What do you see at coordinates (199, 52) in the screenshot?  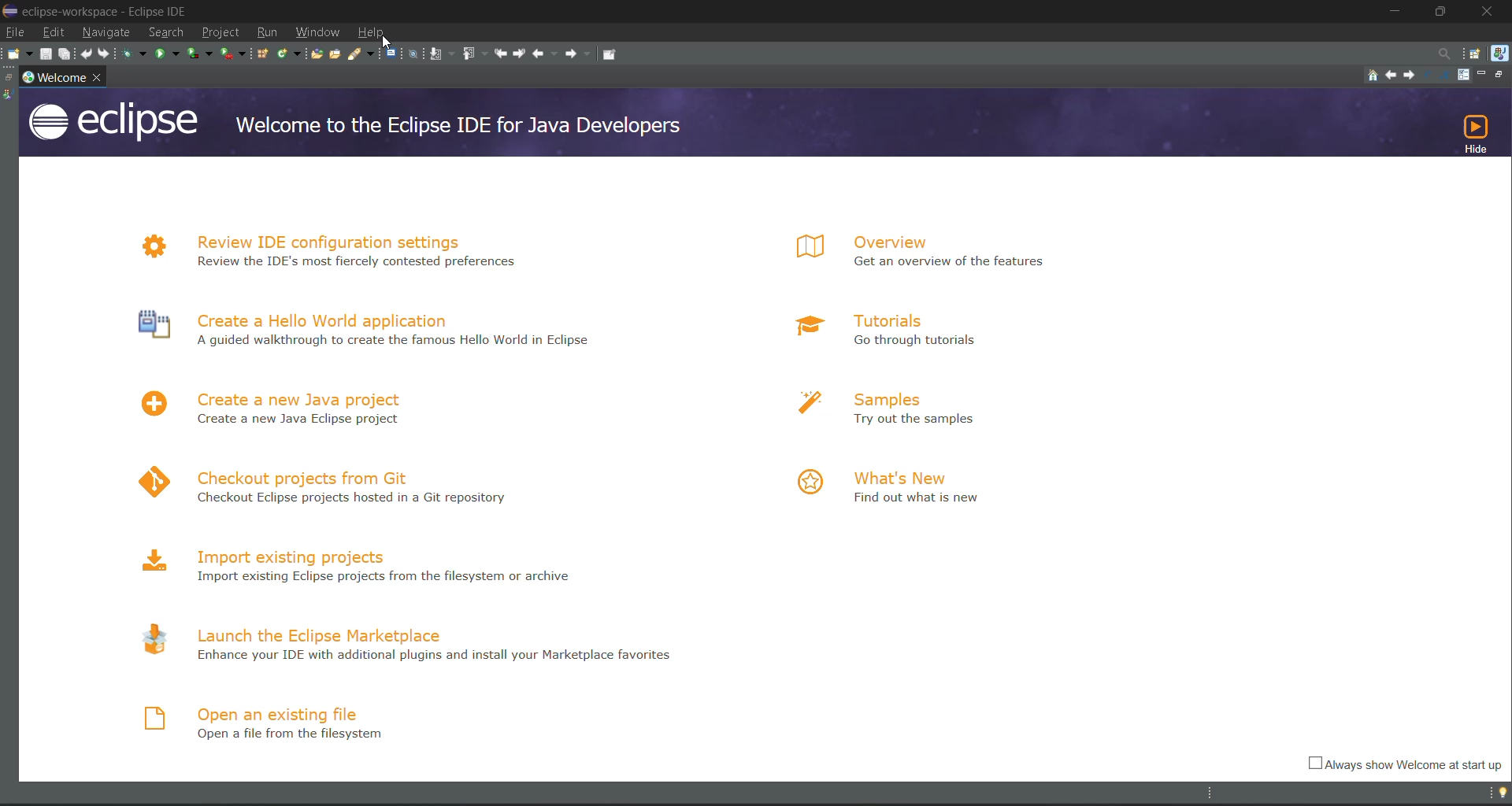 I see `coverage` at bounding box center [199, 52].